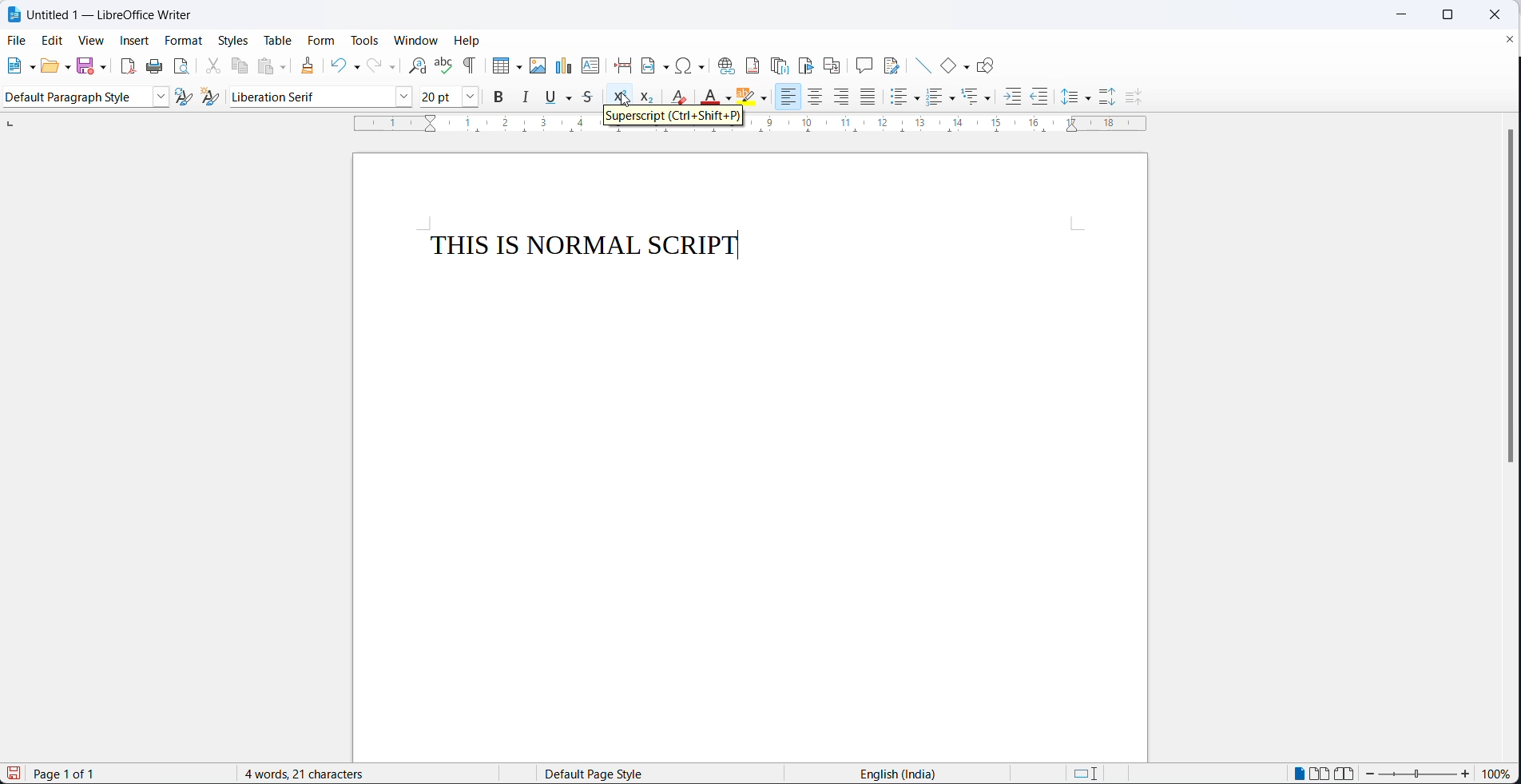 This screenshot has height=784, width=1521. What do you see at coordinates (753, 65) in the screenshot?
I see `insert footnote` at bounding box center [753, 65].